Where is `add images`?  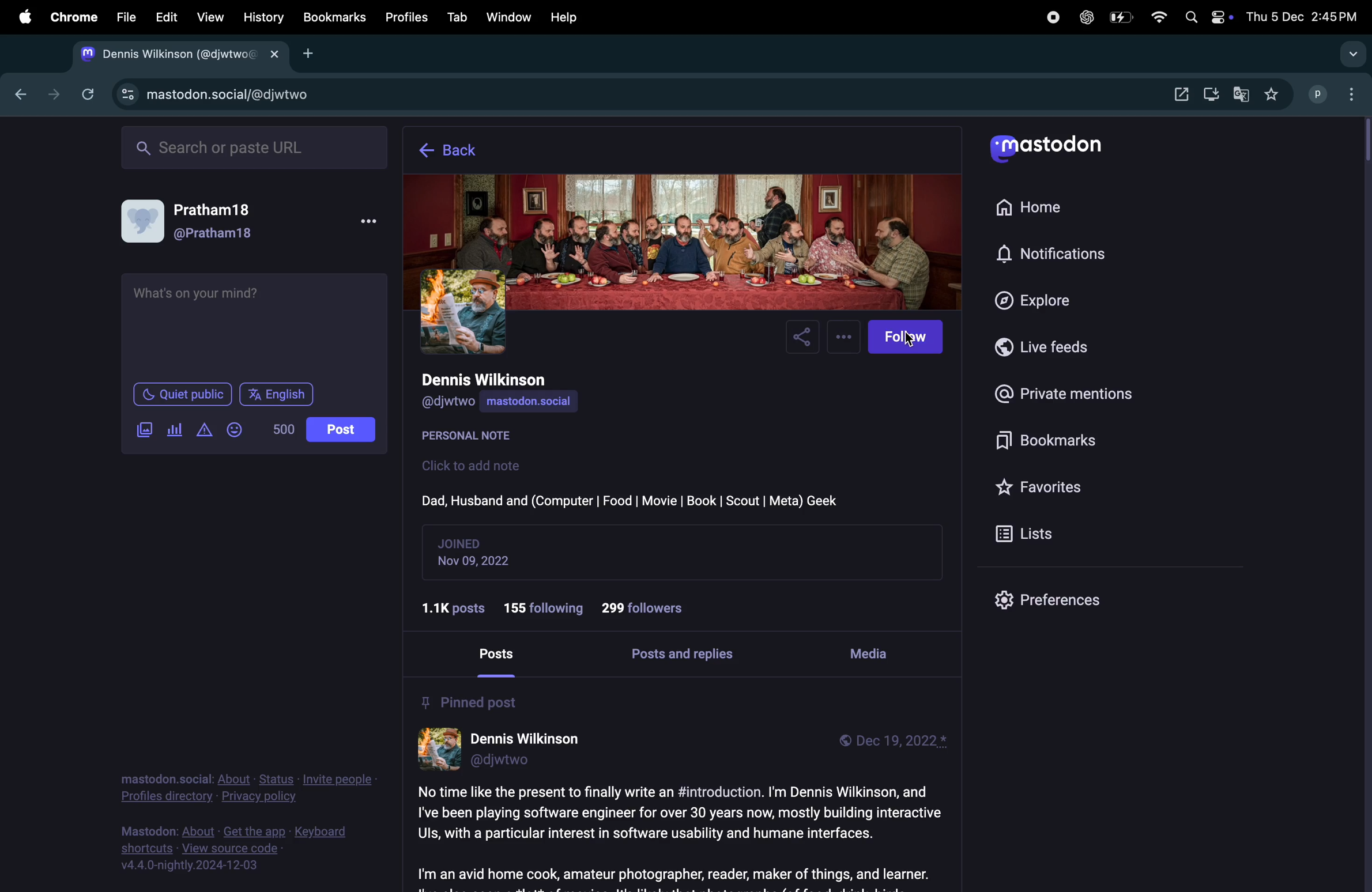
add images is located at coordinates (142, 429).